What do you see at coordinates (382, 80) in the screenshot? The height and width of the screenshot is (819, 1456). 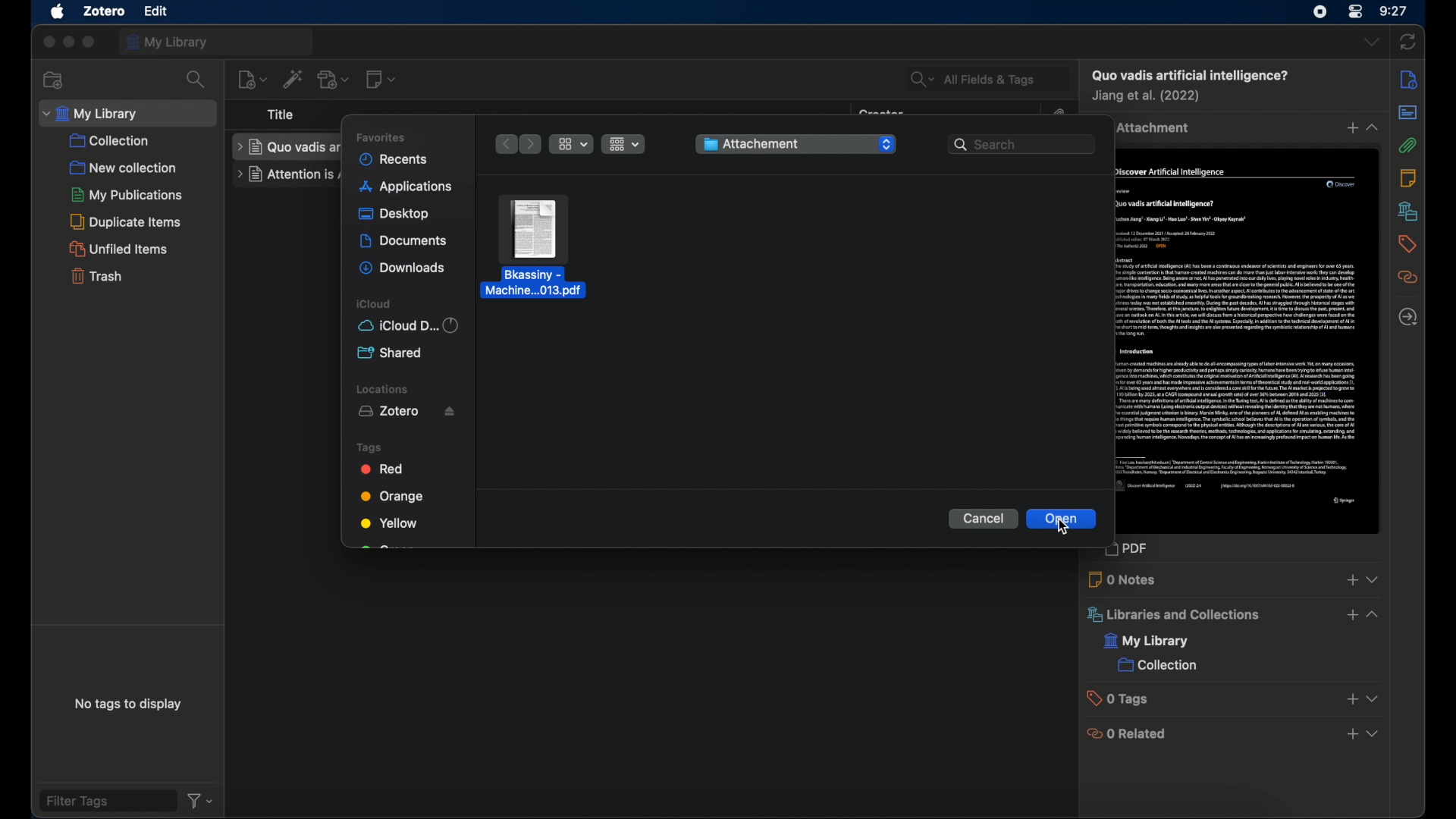 I see `new note` at bounding box center [382, 80].